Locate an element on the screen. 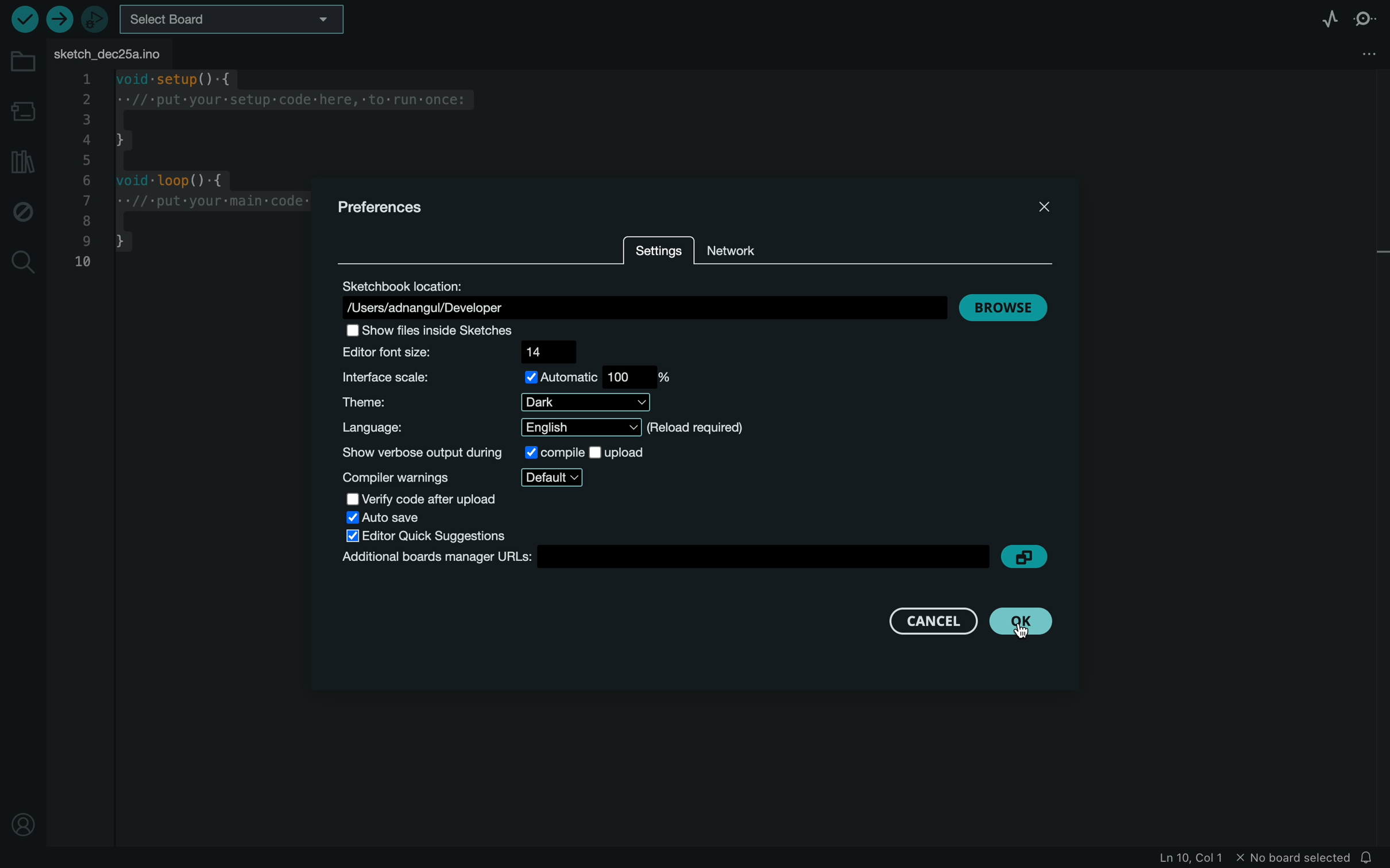  notification  is located at coordinates (1373, 855).